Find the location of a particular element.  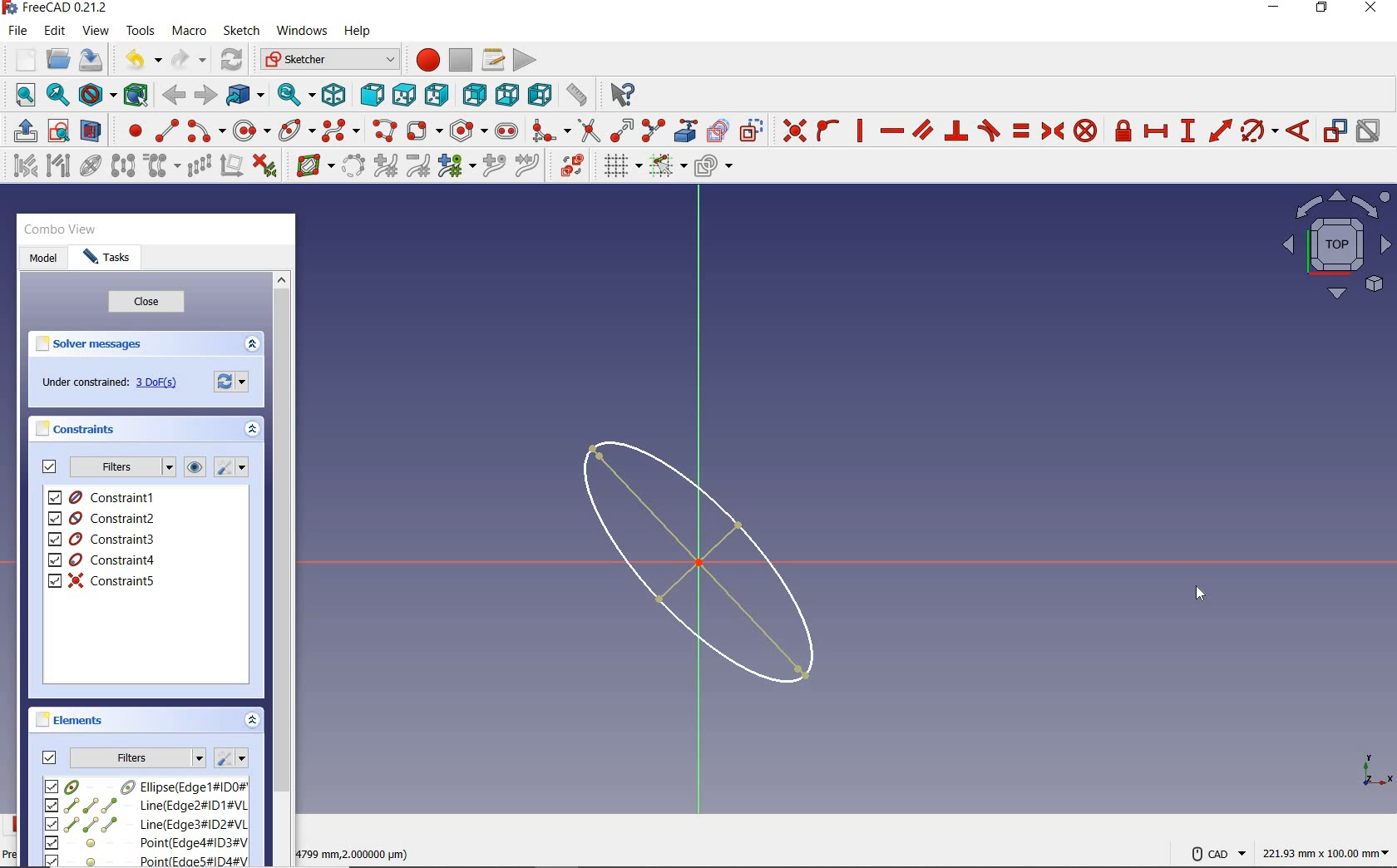

save is located at coordinates (90, 60).